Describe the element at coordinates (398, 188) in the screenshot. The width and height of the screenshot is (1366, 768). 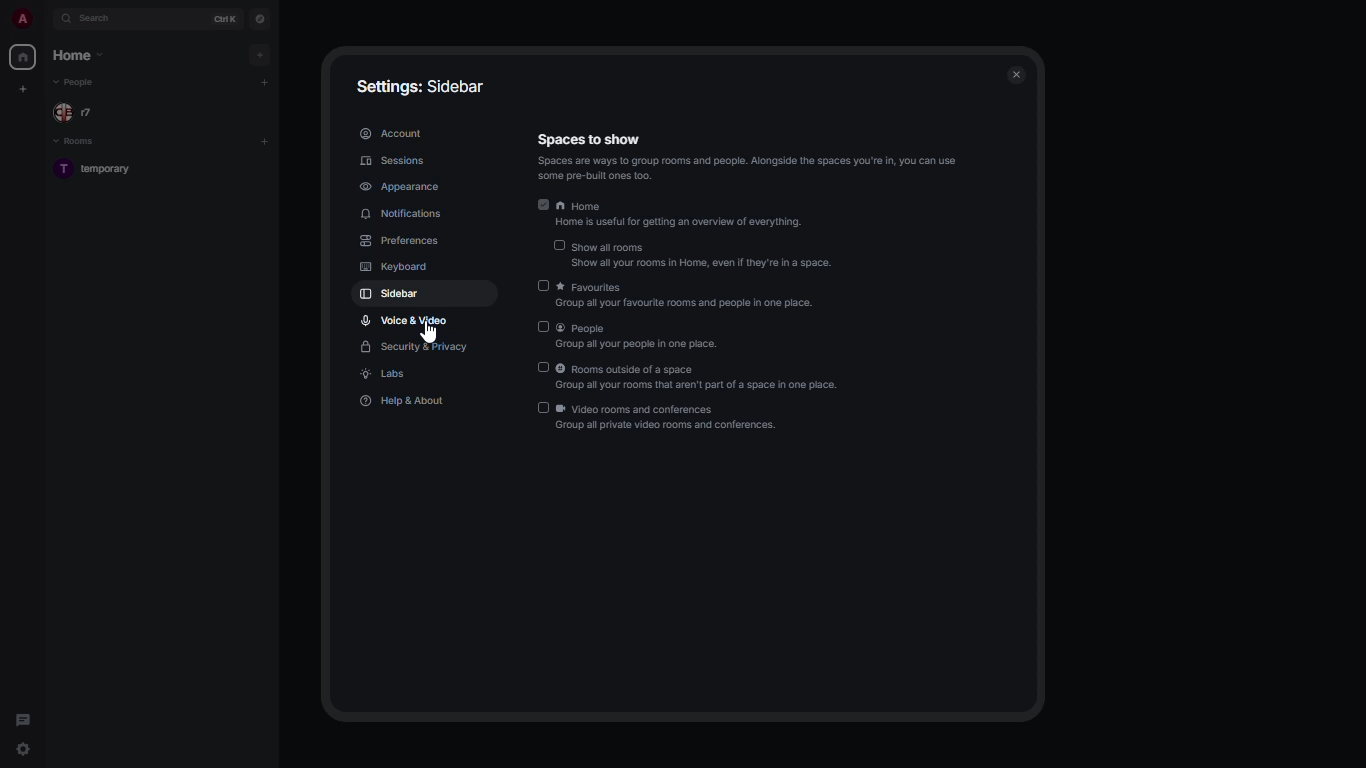
I see `appearance` at that location.